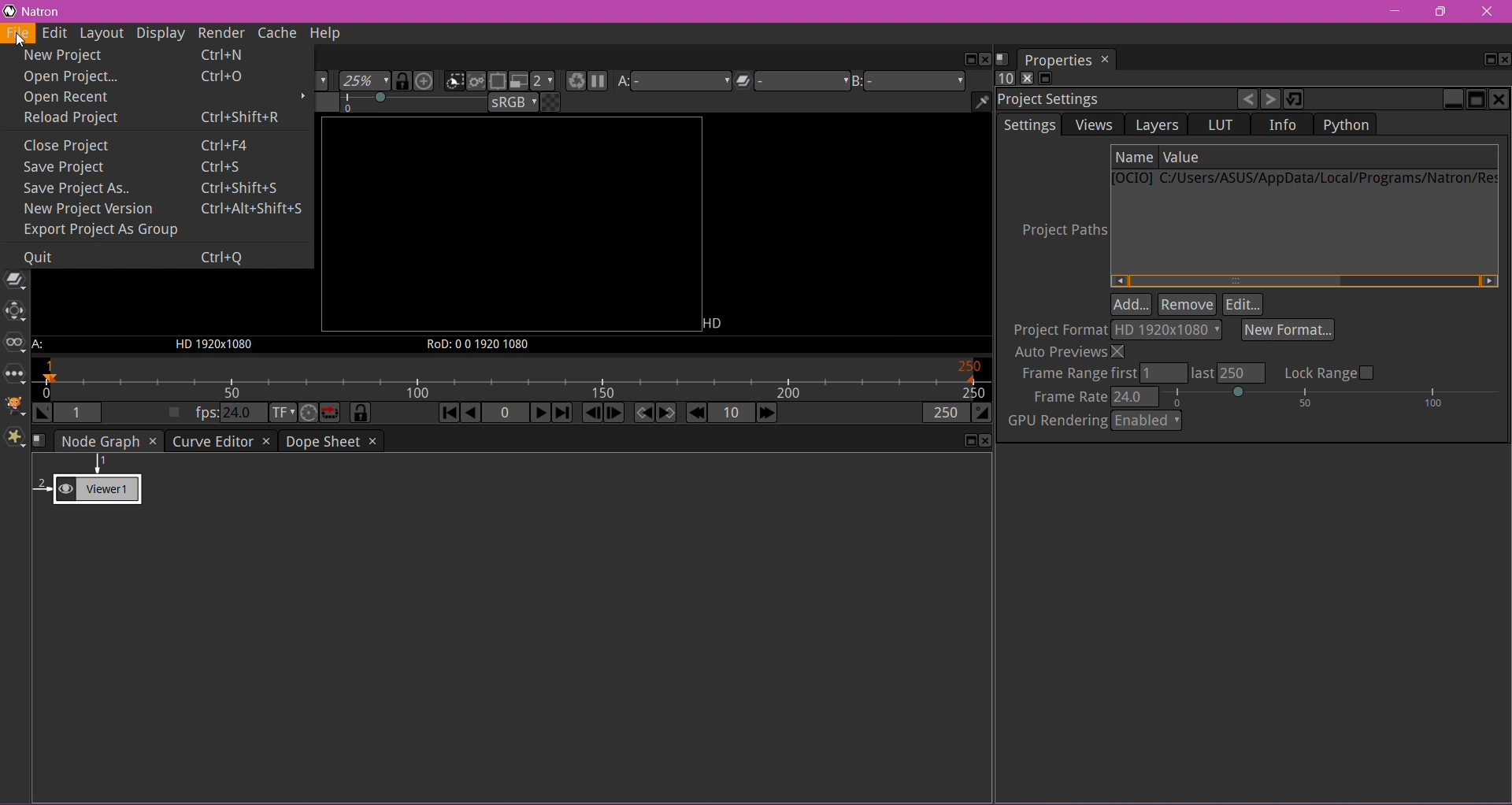  Describe the element at coordinates (16, 343) in the screenshot. I see `Views` at that location.